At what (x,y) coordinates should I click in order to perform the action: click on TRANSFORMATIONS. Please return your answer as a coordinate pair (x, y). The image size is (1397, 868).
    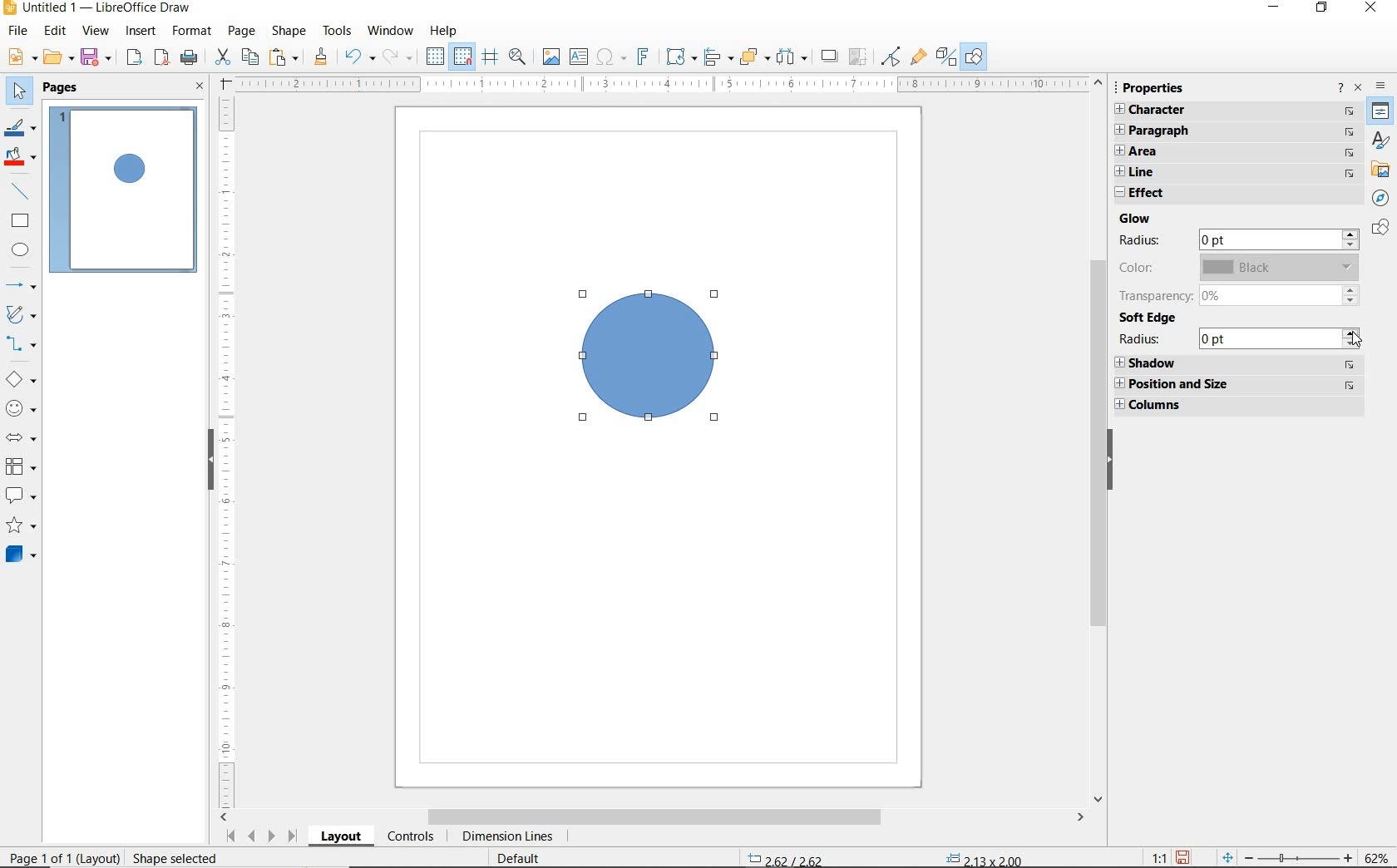
    Looking at the image, I should click on (681, 55).